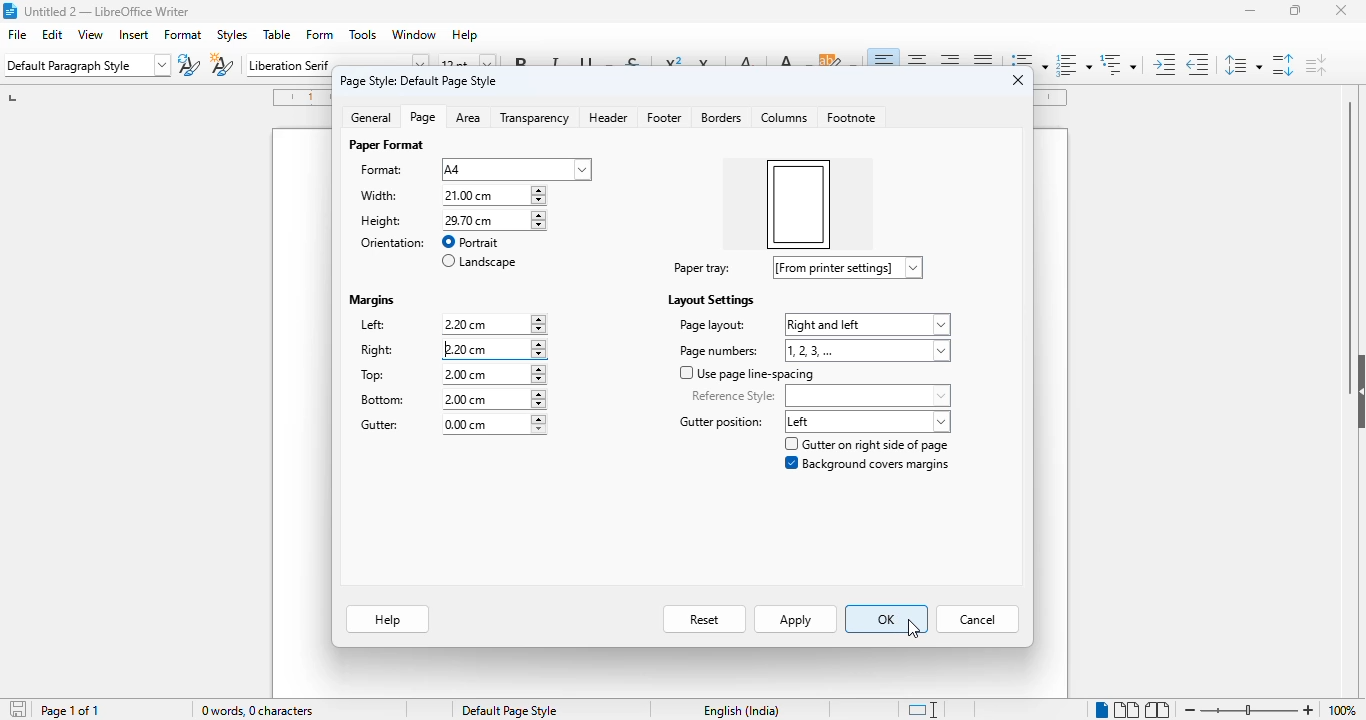  What do you see at coordinates (412, 35) in the screenshot?
I see `window` at bounding box center [412, 35].